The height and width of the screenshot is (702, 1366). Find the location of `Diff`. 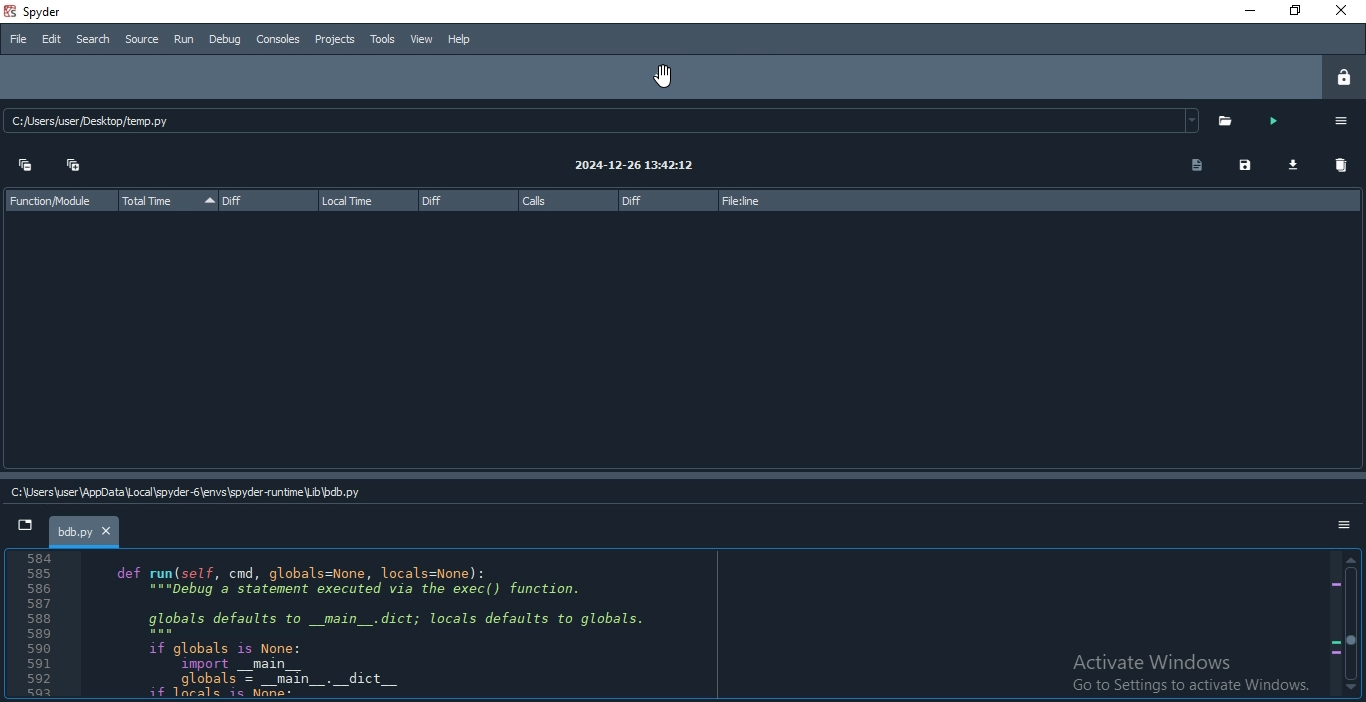

Diff is located at coordinates (468, 199).